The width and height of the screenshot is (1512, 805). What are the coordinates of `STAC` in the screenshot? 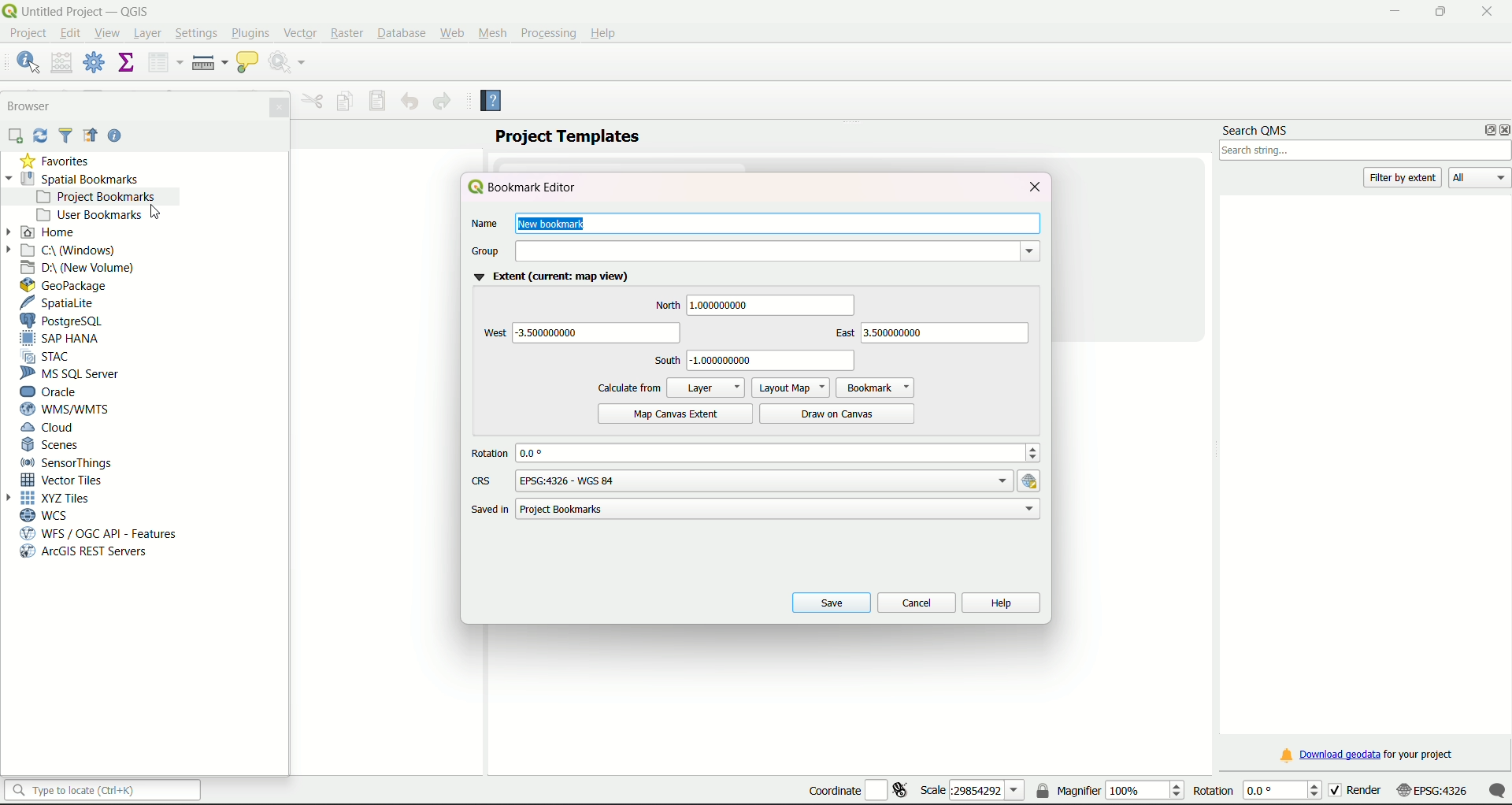 It's located at (50, 356).